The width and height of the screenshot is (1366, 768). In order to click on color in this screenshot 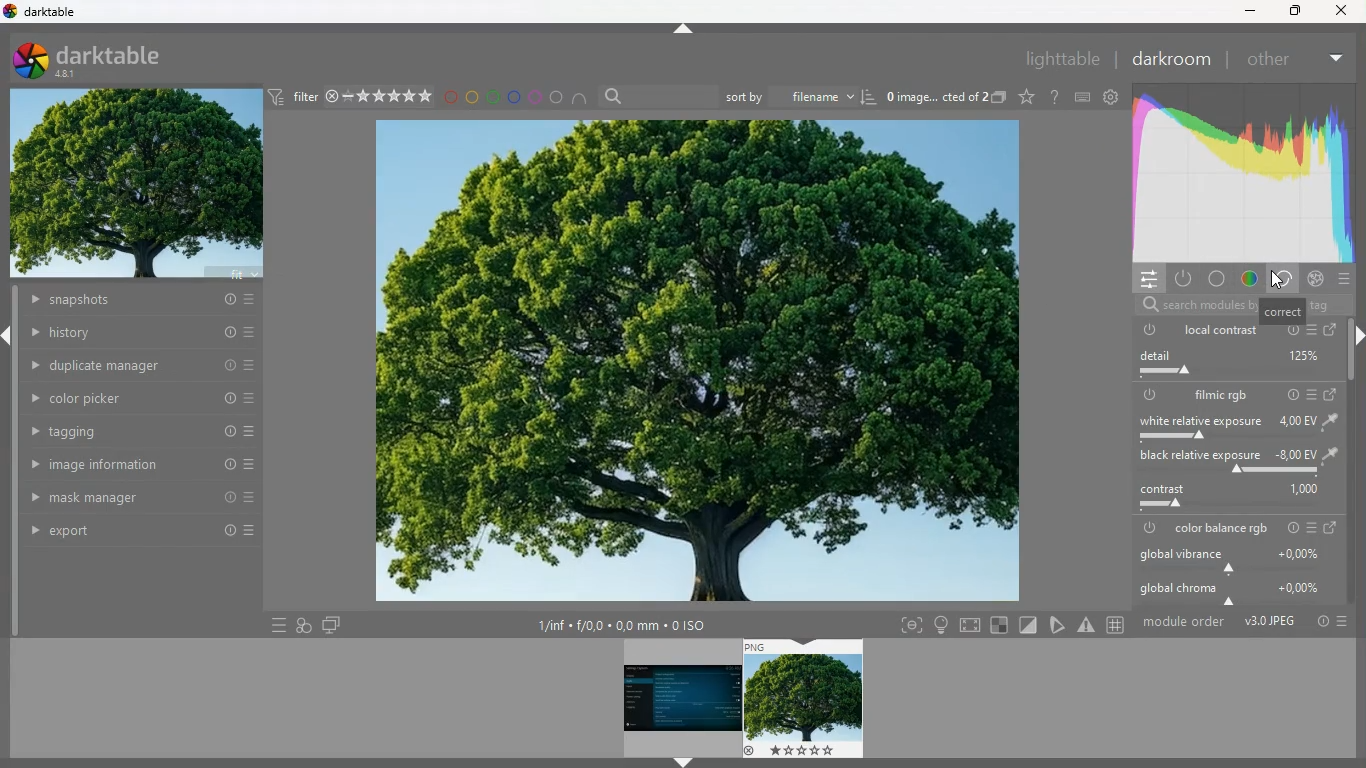, I will do `click(1219, 279)`.